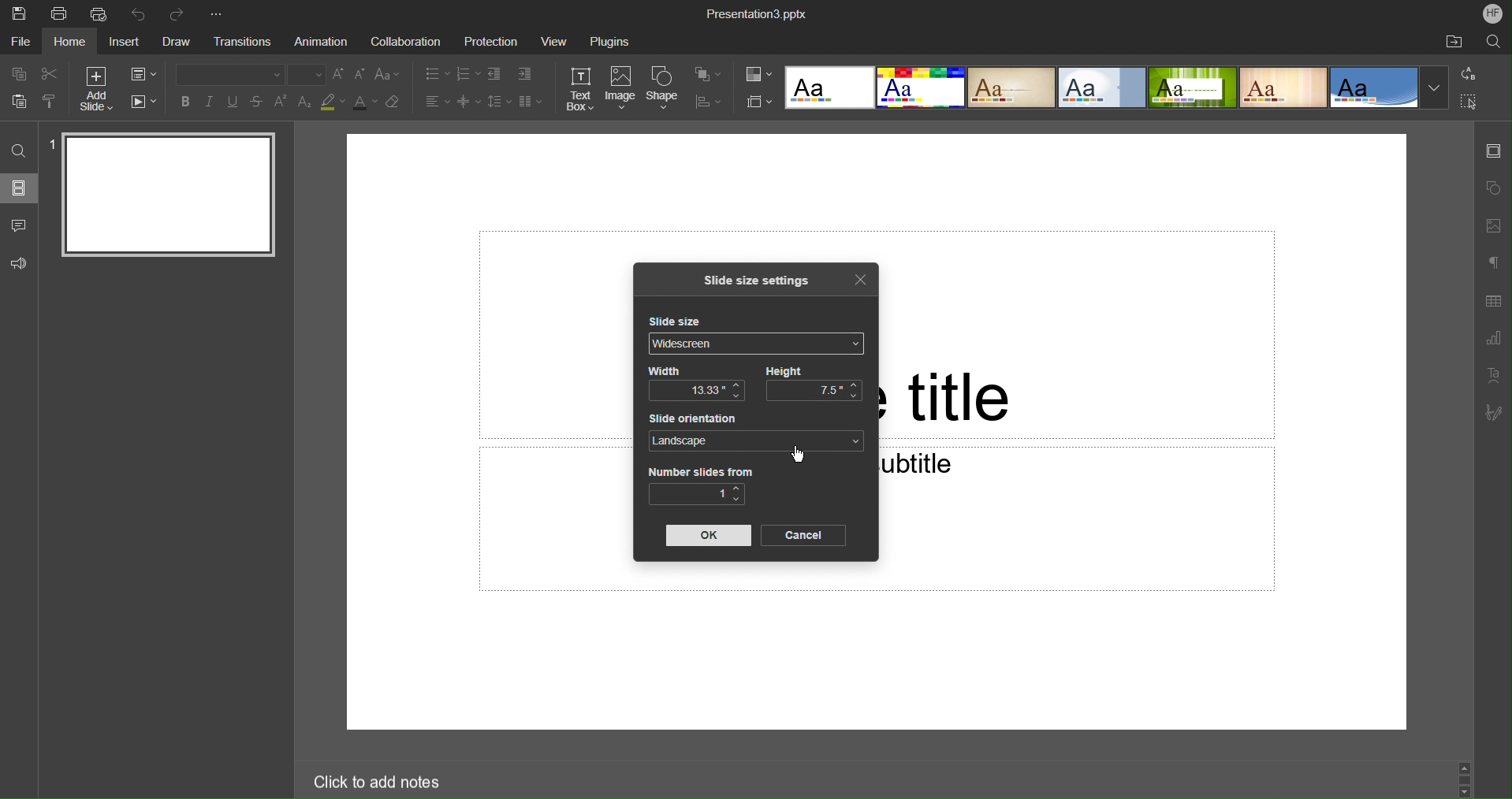  Describe the element at coordinates (700, 471) in the screenshot. I see `Number slides from` at that location.